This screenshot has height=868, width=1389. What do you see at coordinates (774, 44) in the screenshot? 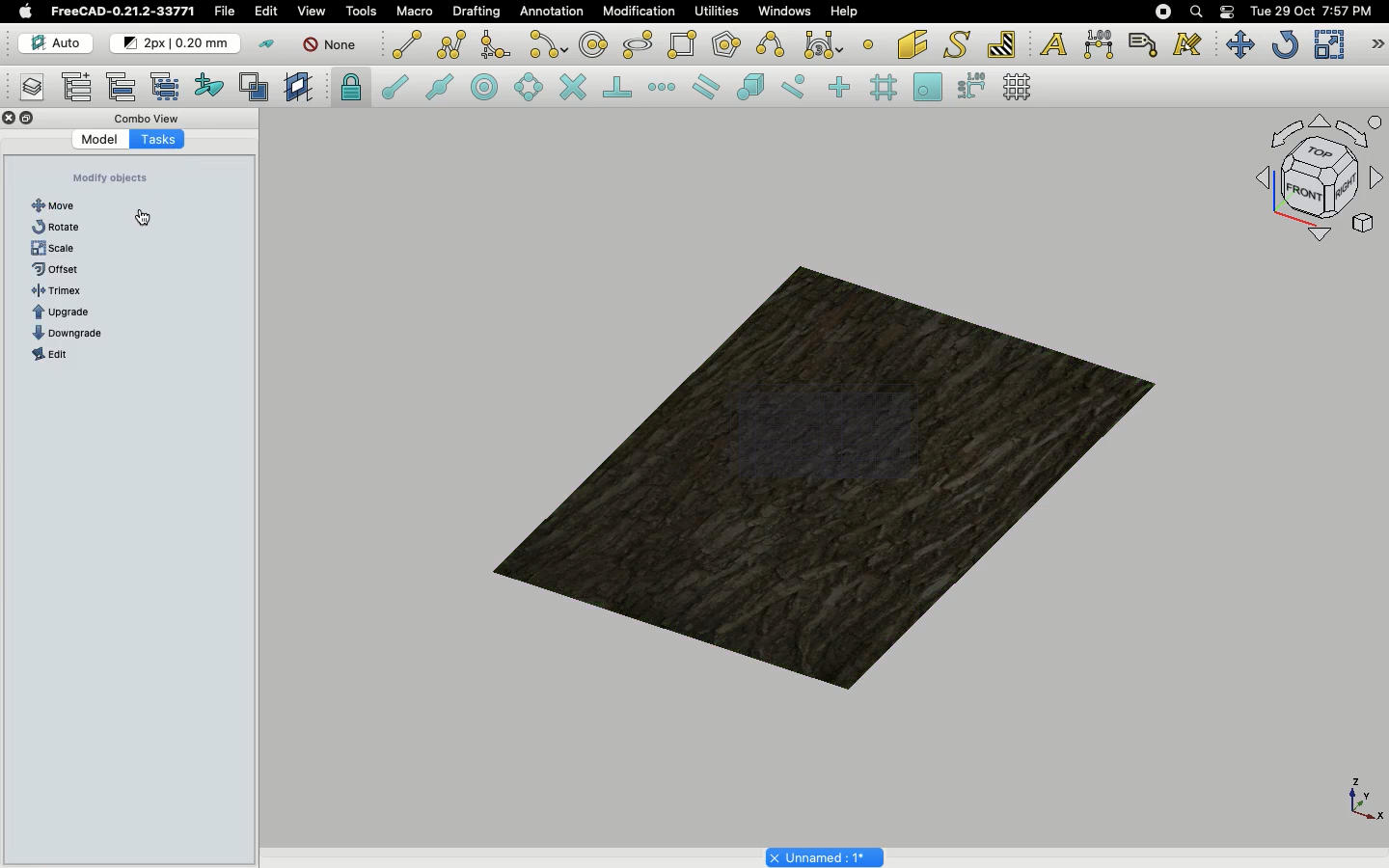
I see `B-spline` at bounding box center [774, 44].